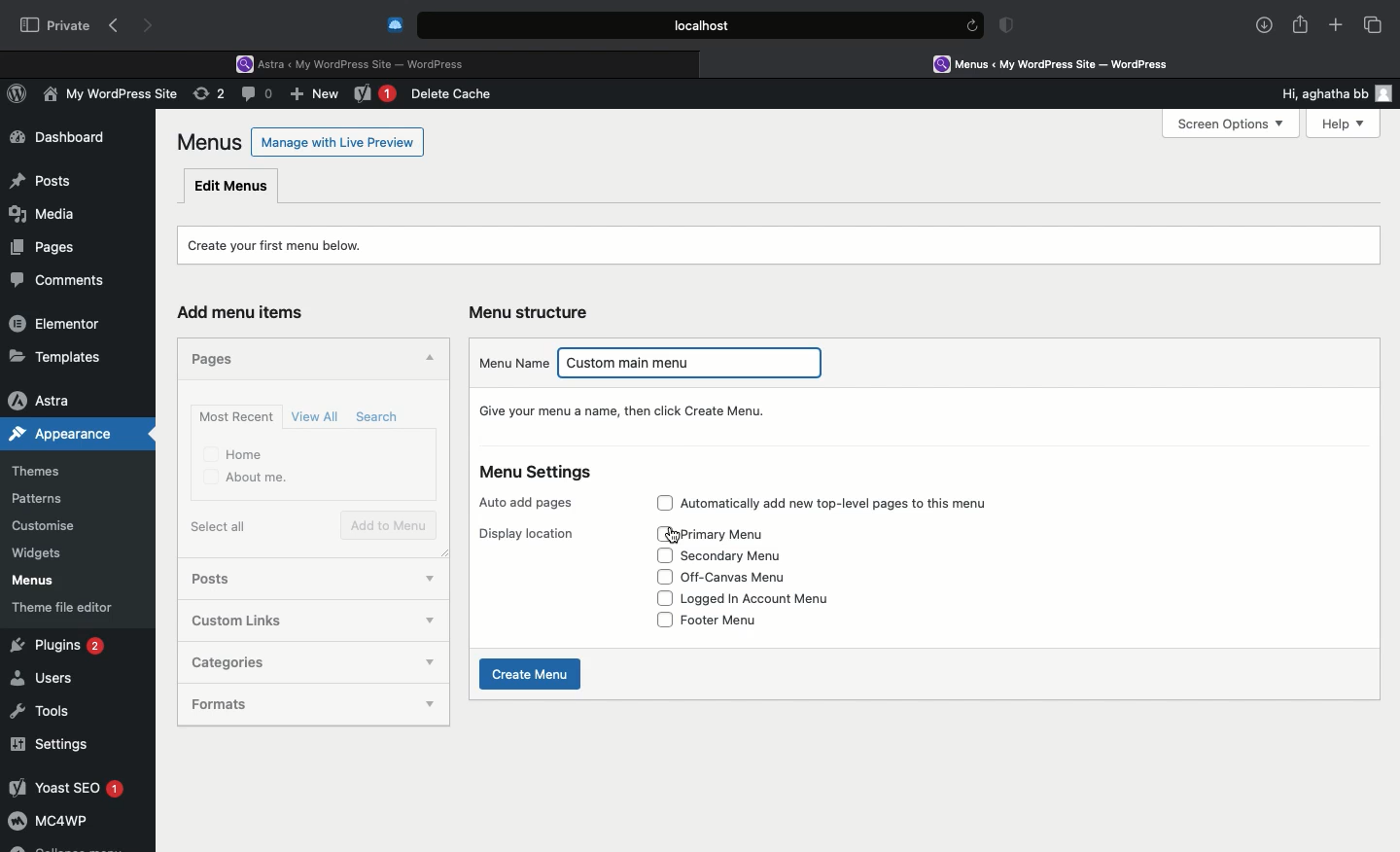 This screenshot has height=852, width=1400. What do you see at coordinates (206, 96) in the screenshot?
I see `Revision (2)` at bounding box center [206, 96].